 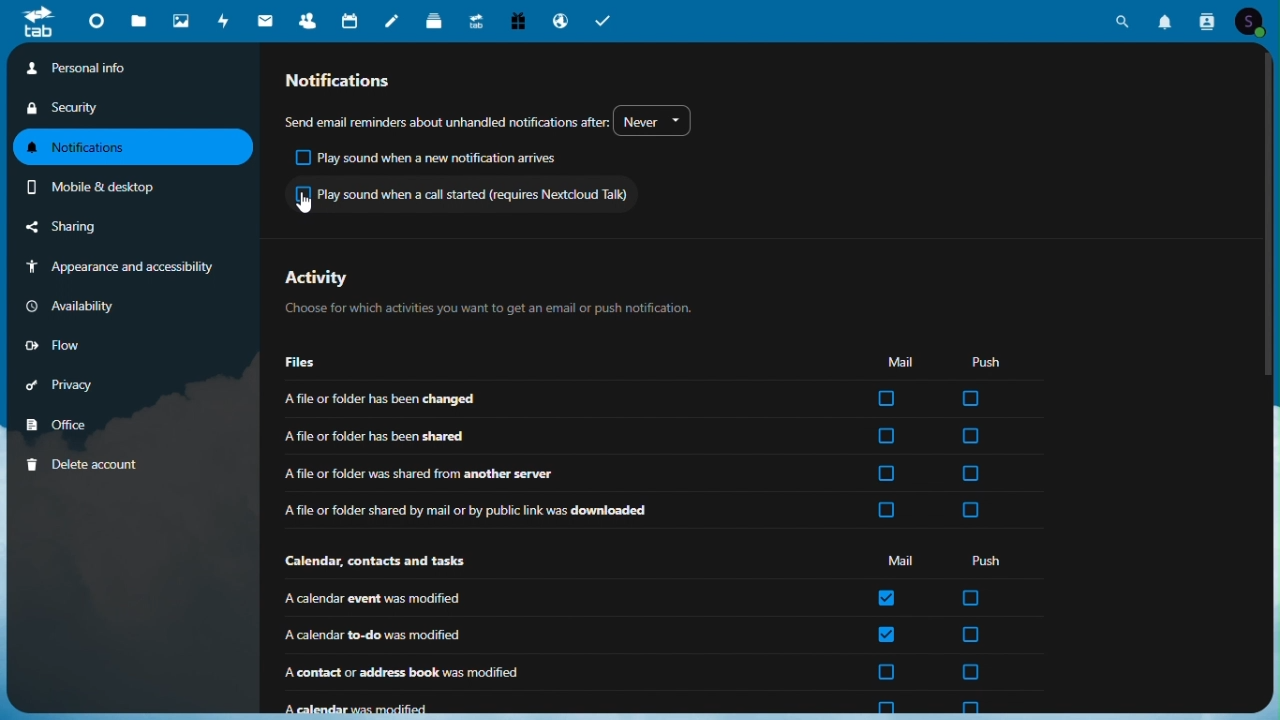 What do you see at coordinates (901, 361) in the screenshot?
I see `Mail` at bounding box center [901, 361].